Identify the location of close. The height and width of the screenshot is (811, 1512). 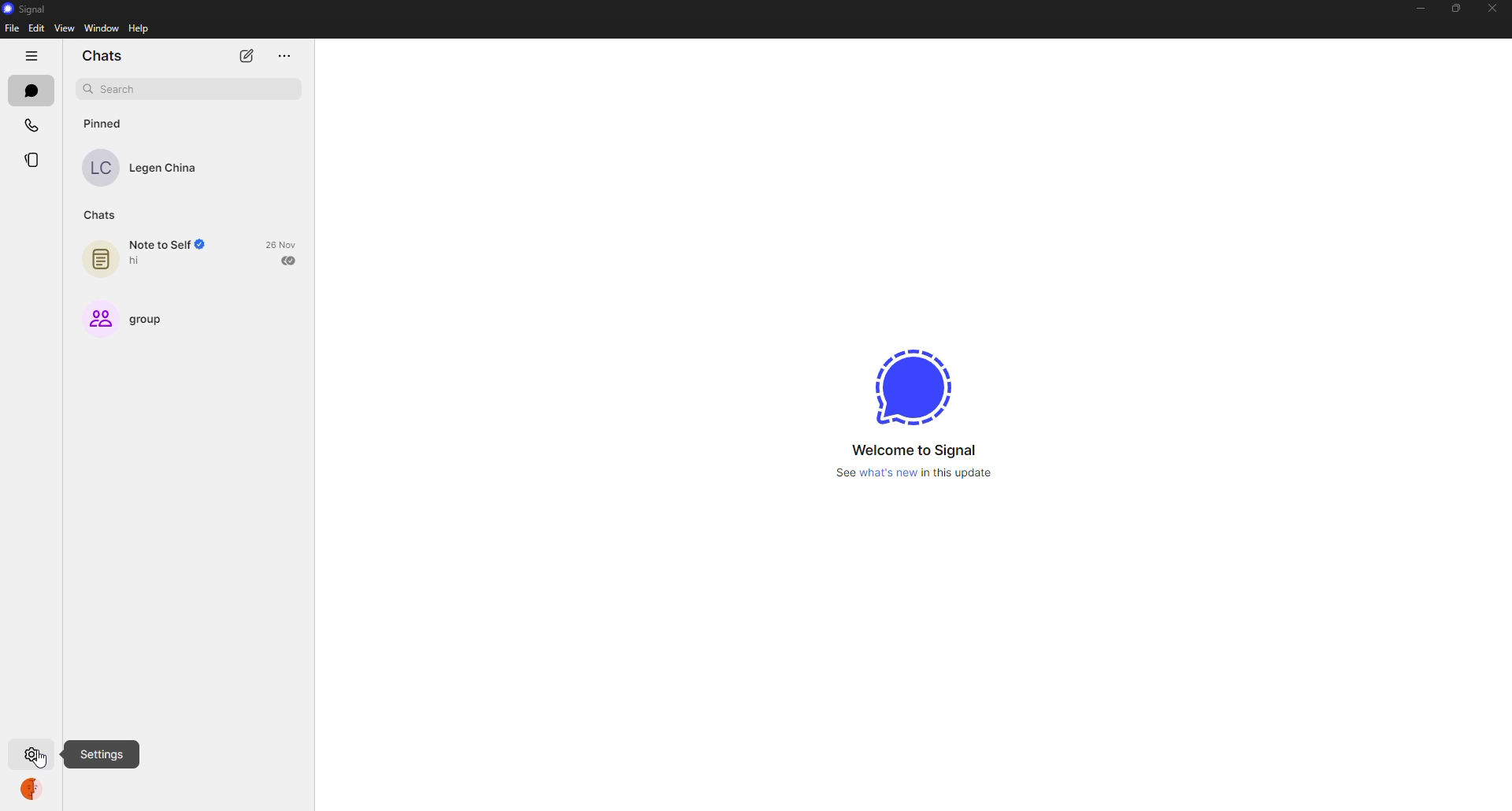
(1494, 9).